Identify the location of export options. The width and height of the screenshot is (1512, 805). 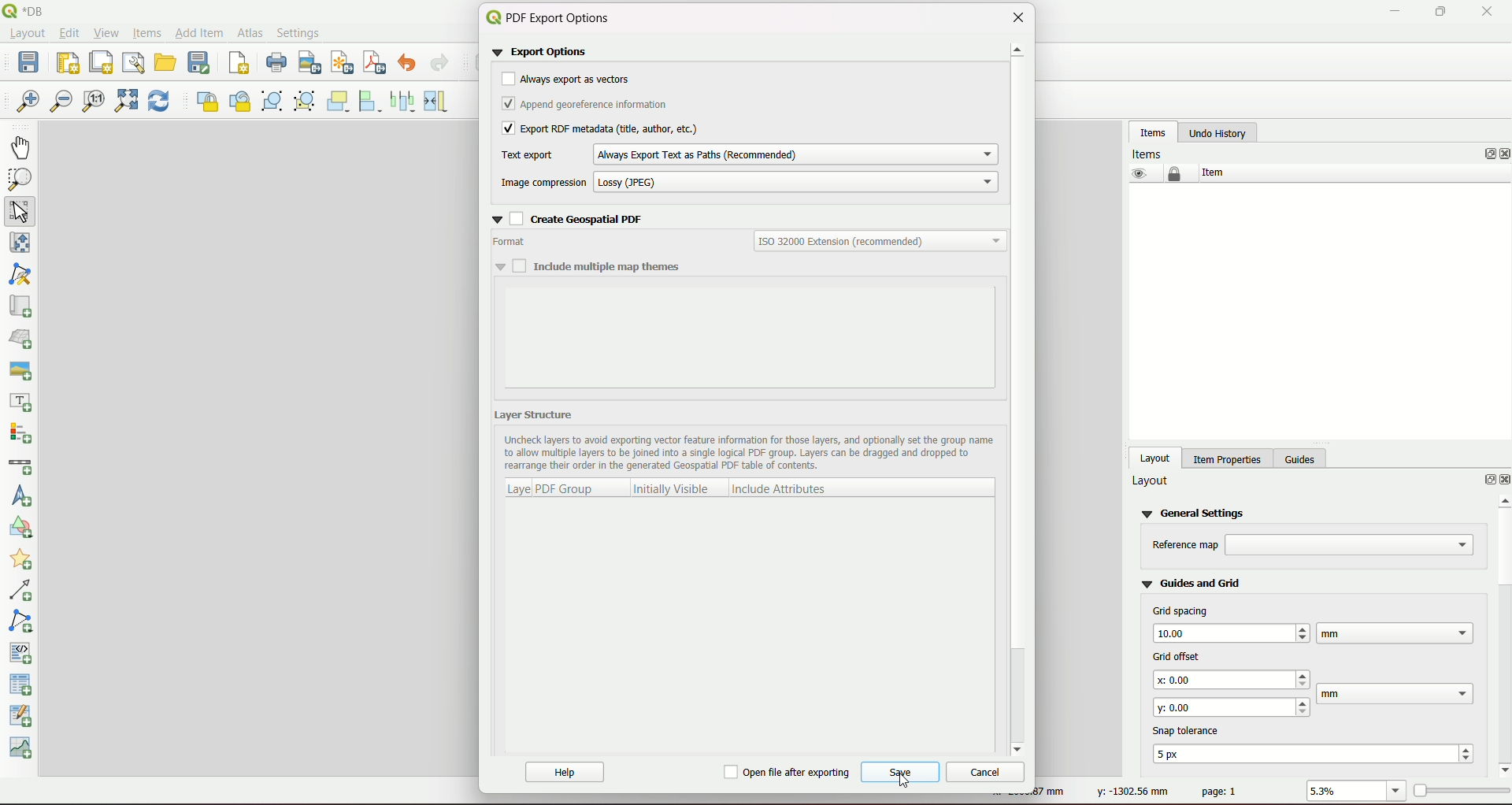
(545, 52).